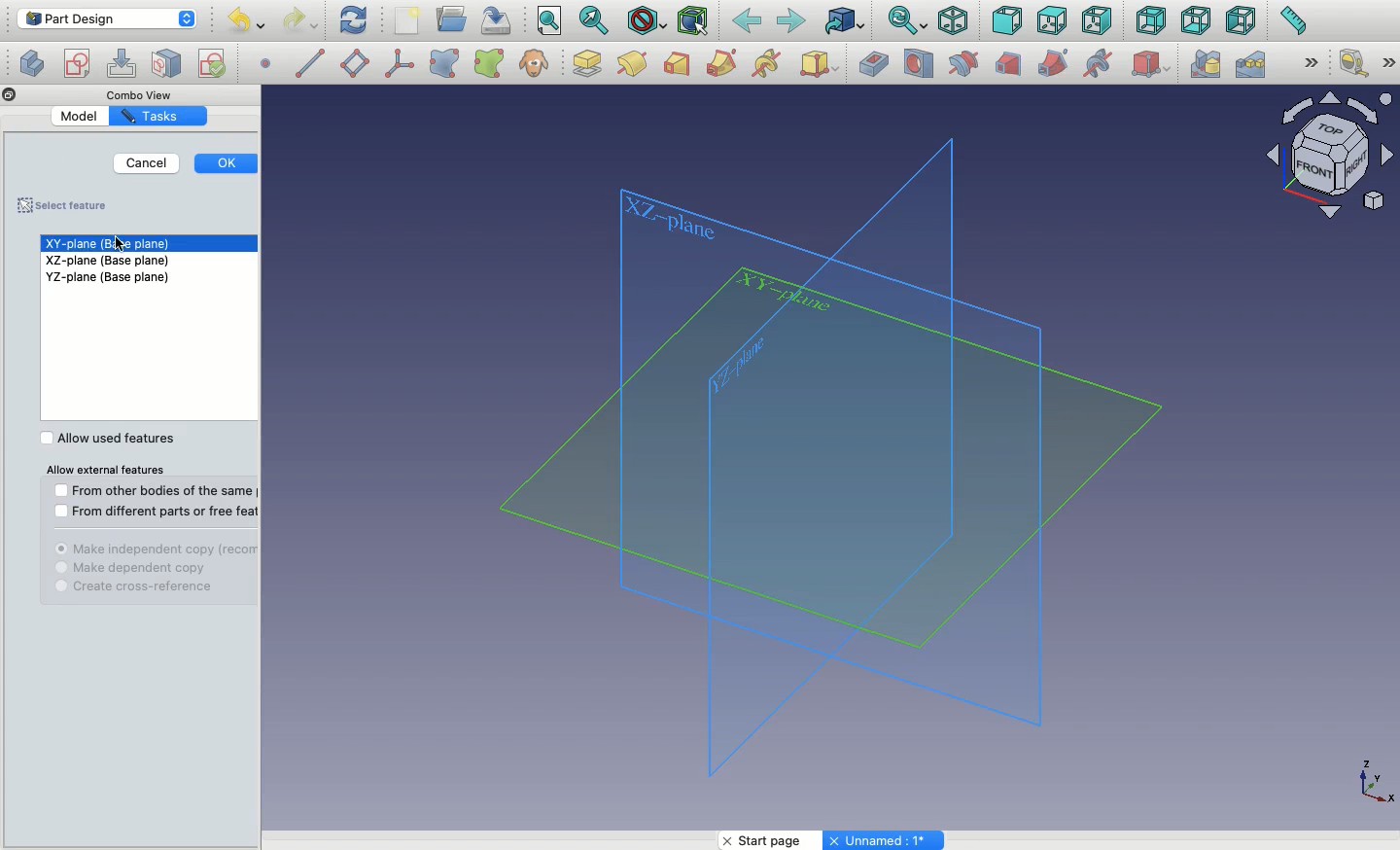  What do you see at coordinates (1100, 20) in the screenshot?
I see `Right` at bounding box center [1100, 20].